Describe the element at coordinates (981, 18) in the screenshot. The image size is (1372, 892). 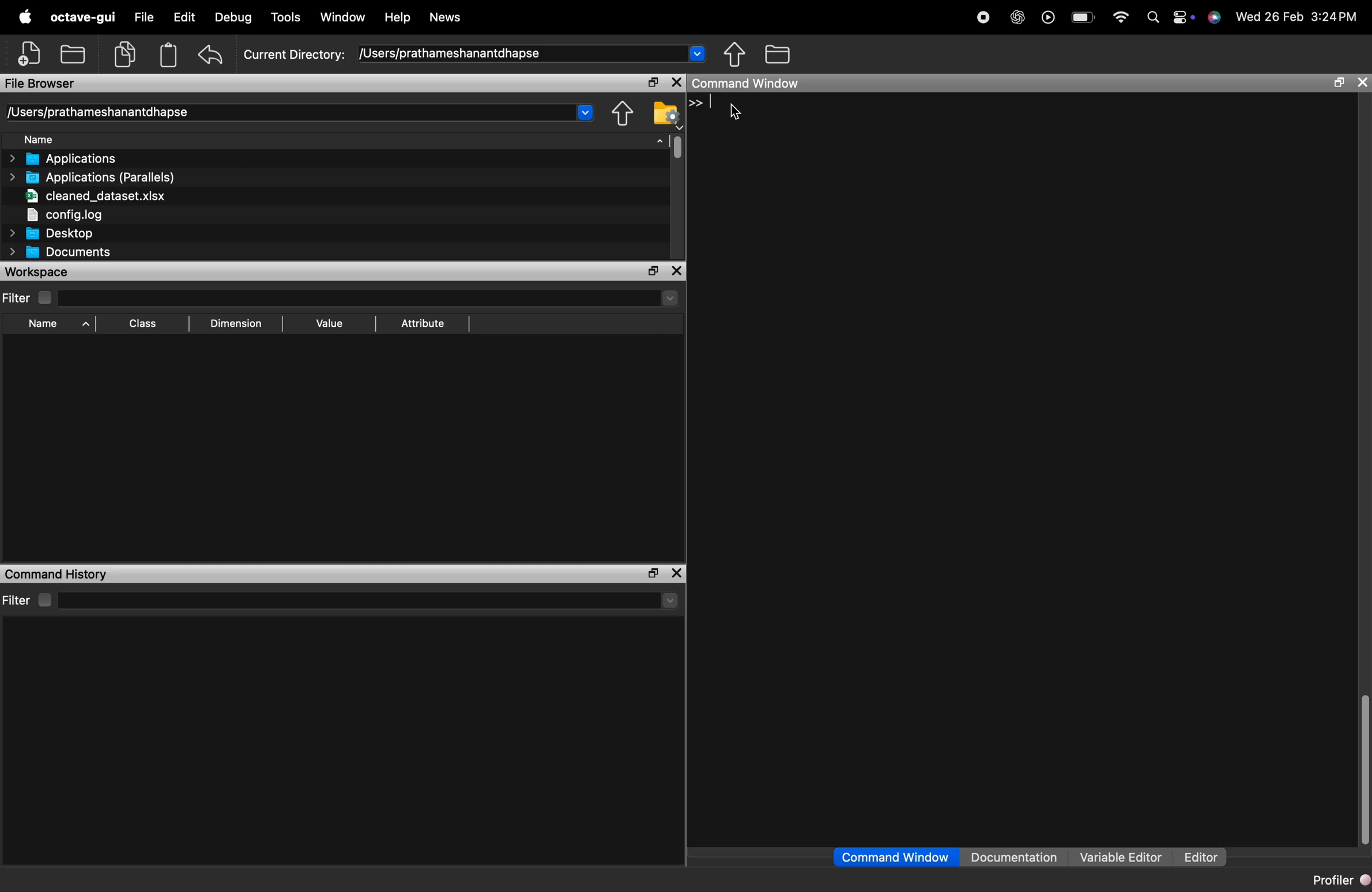
I see `recorder` at that location.